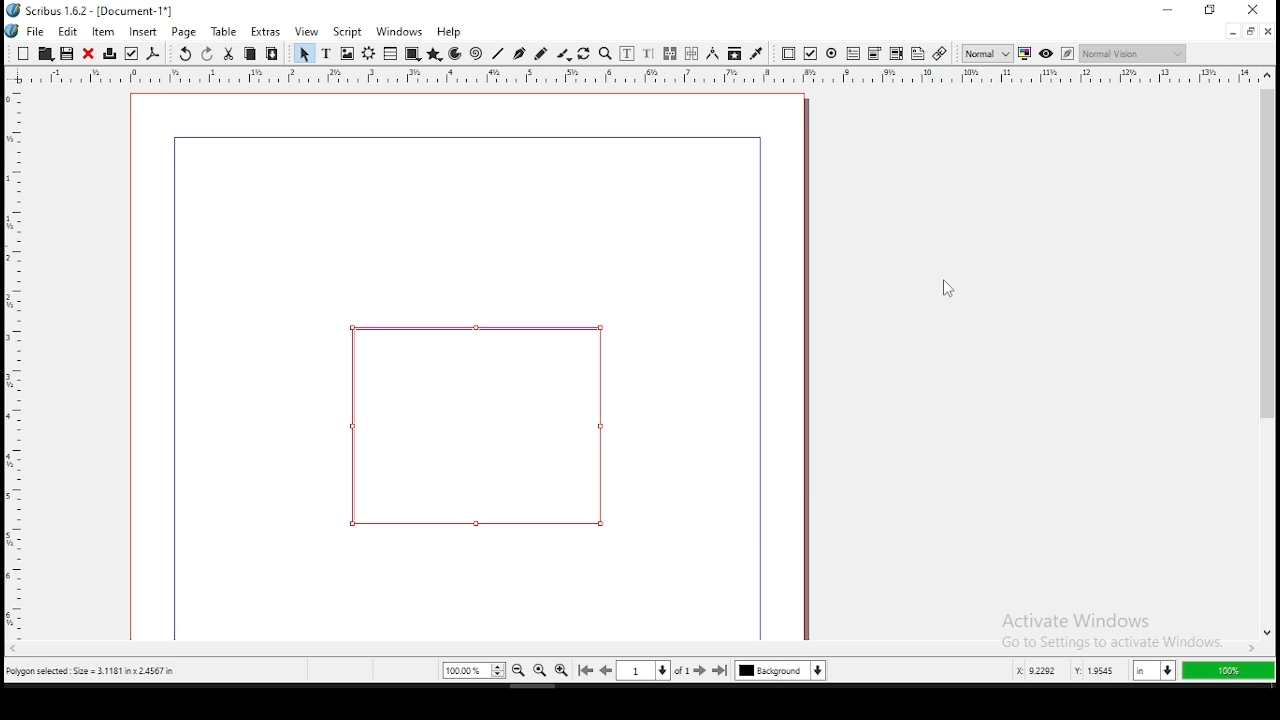  What do you see at coordinates (304, 53) in the screenshot?
I see `select item` at bounding box center [304, 53].